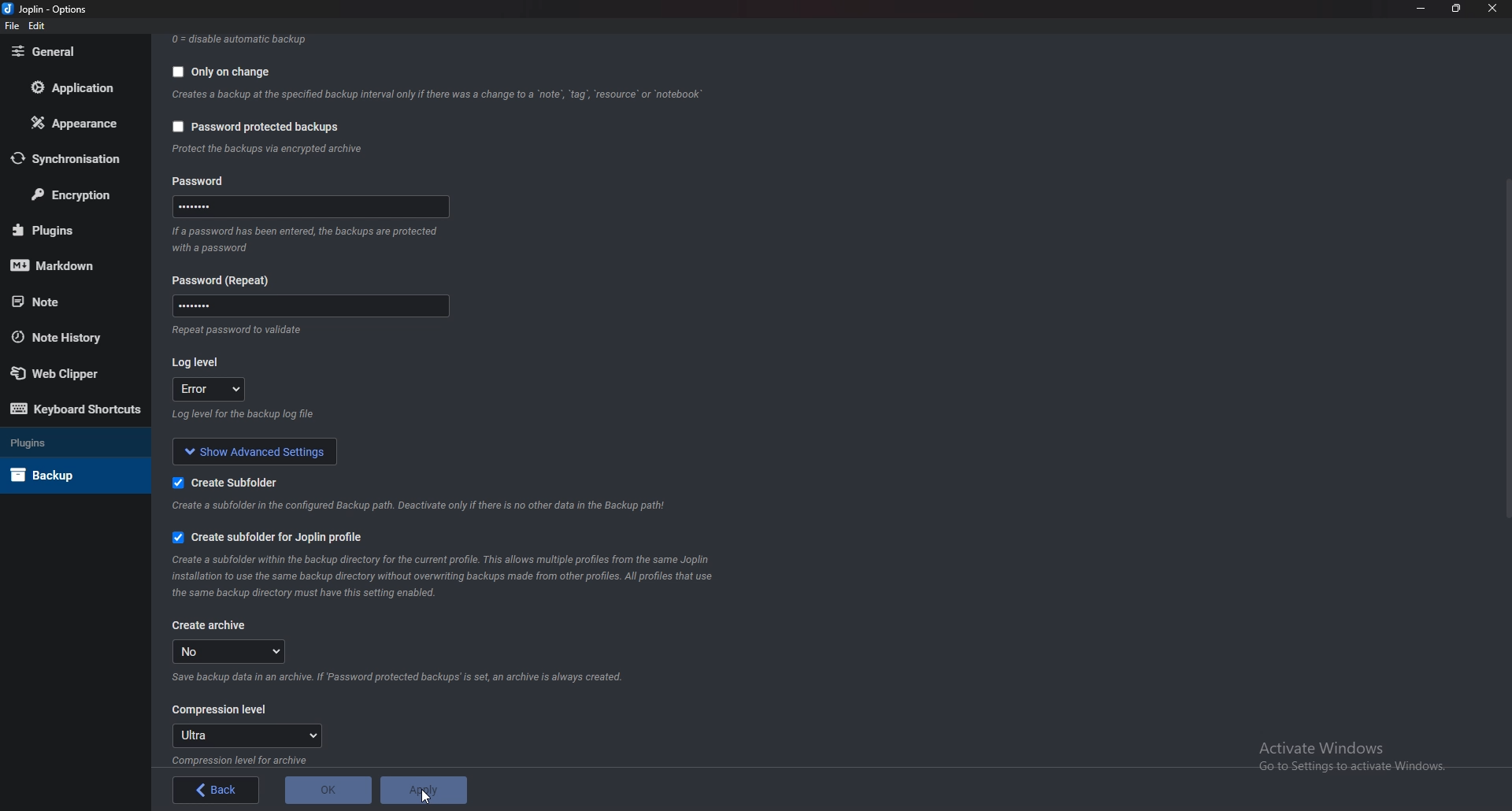 This screenshot has width=1512, height=811. I want to click on Info on password, so click(308, 243).